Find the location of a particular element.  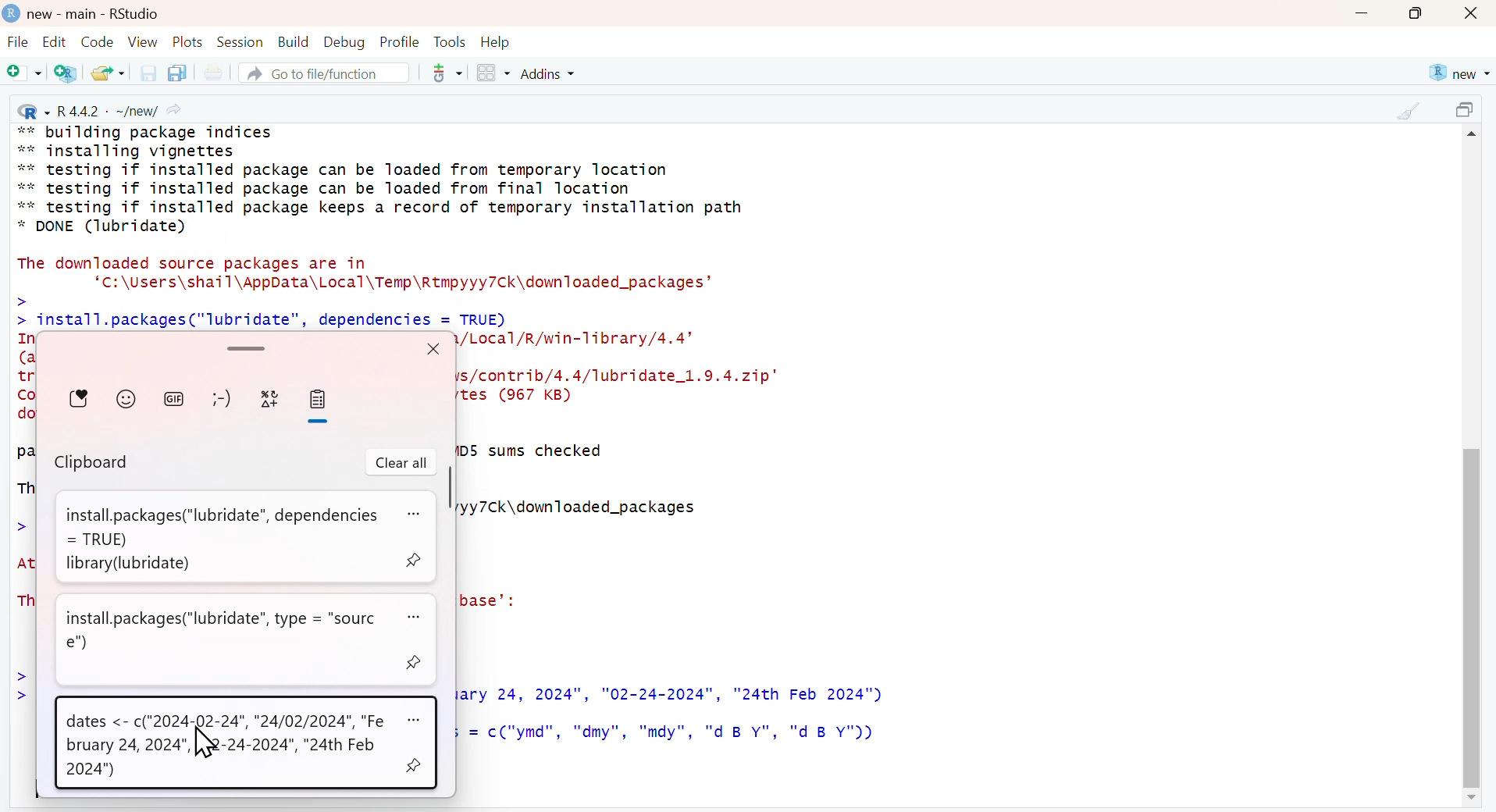

maximize is located at coordinates (1416, 13).